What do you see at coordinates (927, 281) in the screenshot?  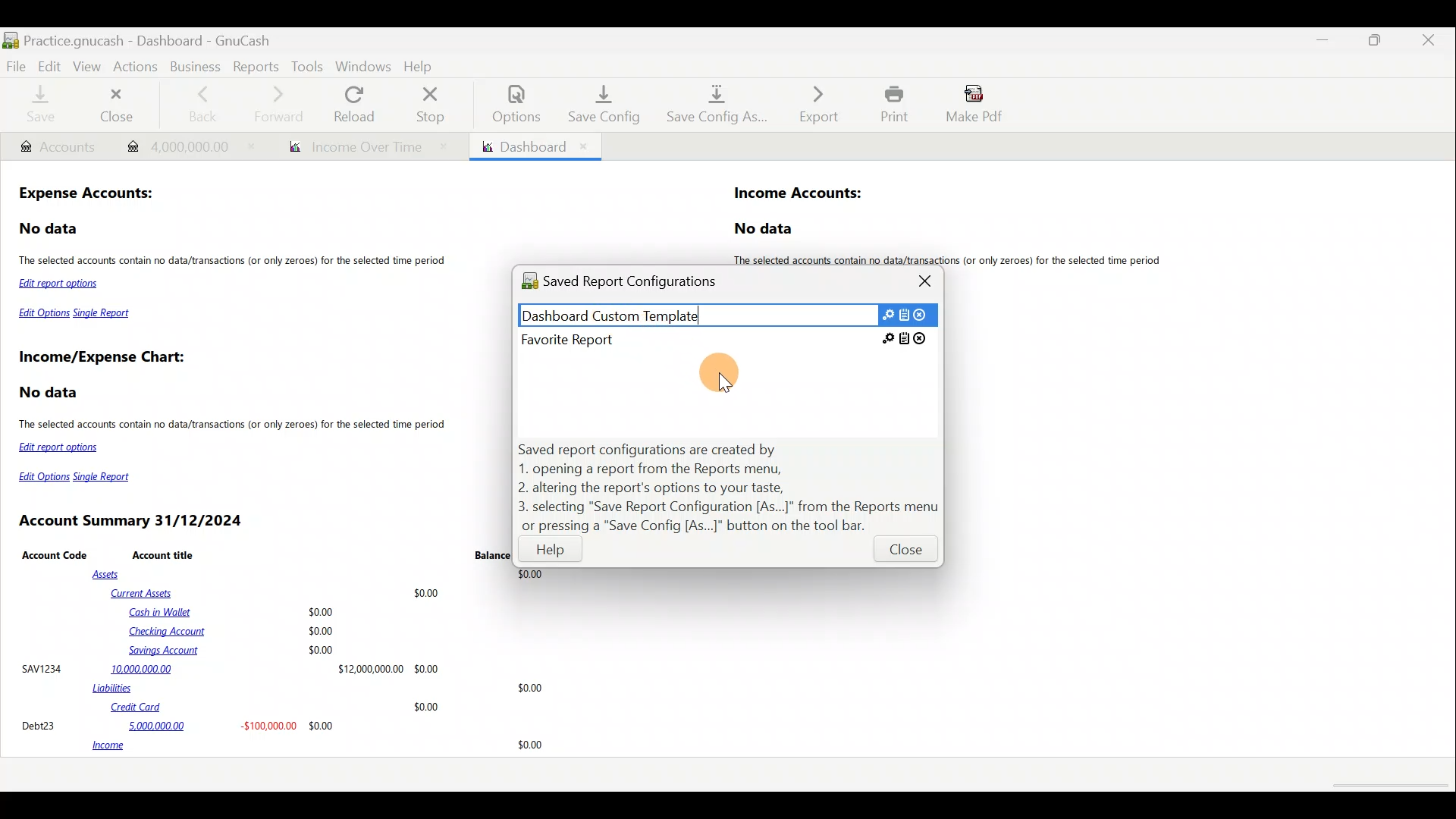 I see `Close` at bounding box center [927, 281].